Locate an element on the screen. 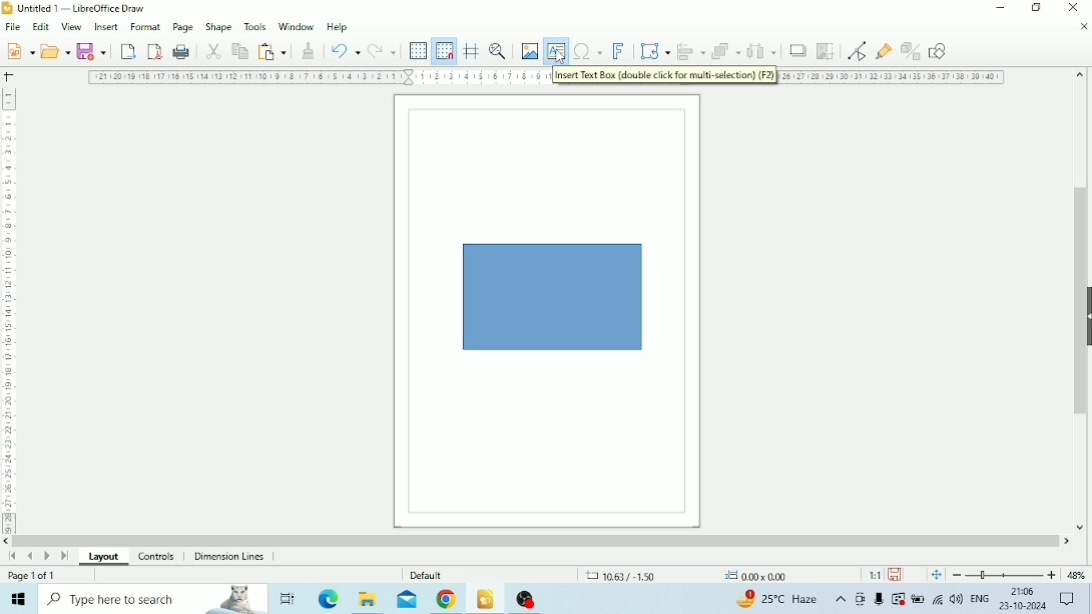 This screenshot has height=614, width=1092. Close Document is located at coordinates (1083, 27).